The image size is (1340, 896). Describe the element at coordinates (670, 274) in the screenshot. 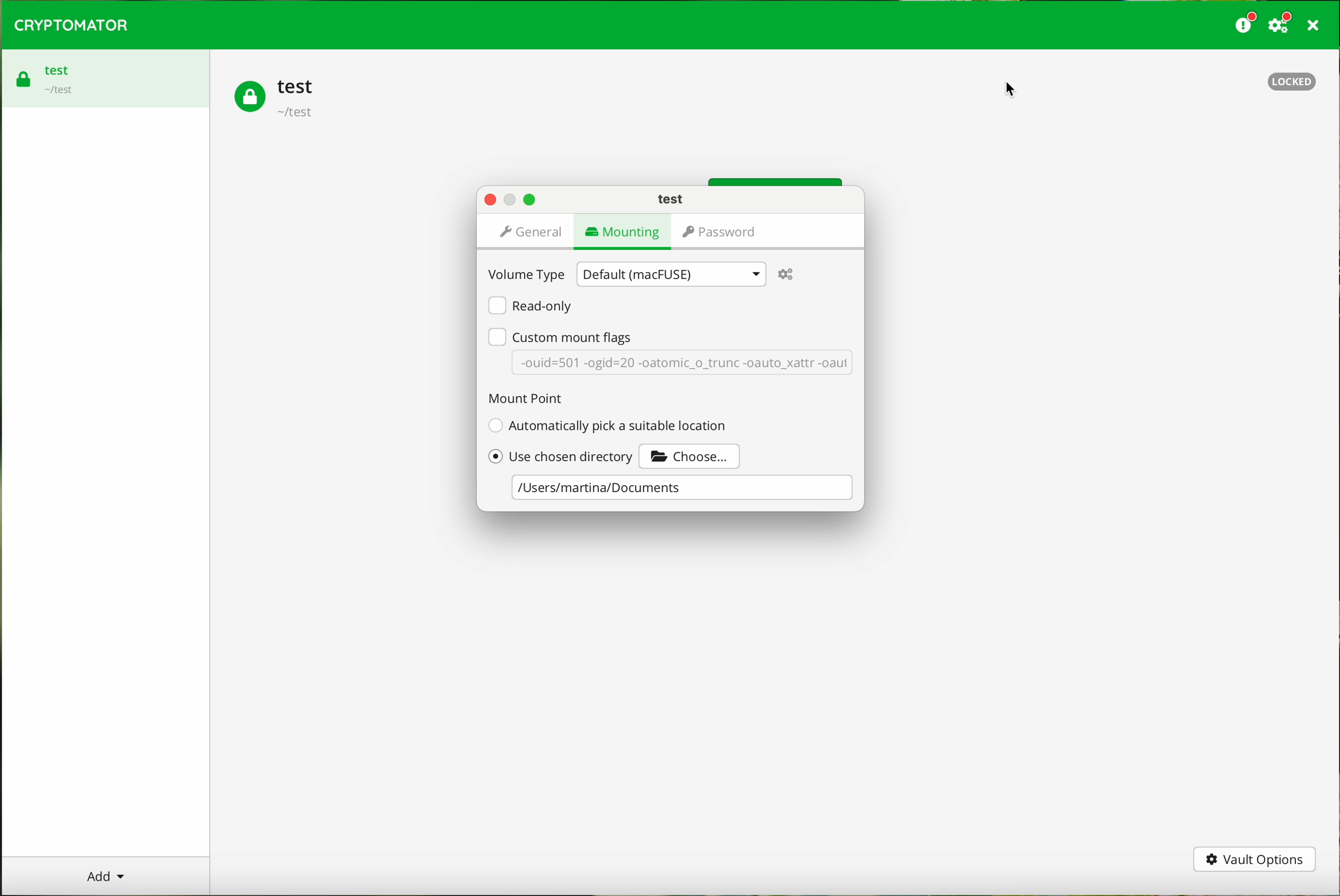

I see `Default (macFUSE)` at that location.